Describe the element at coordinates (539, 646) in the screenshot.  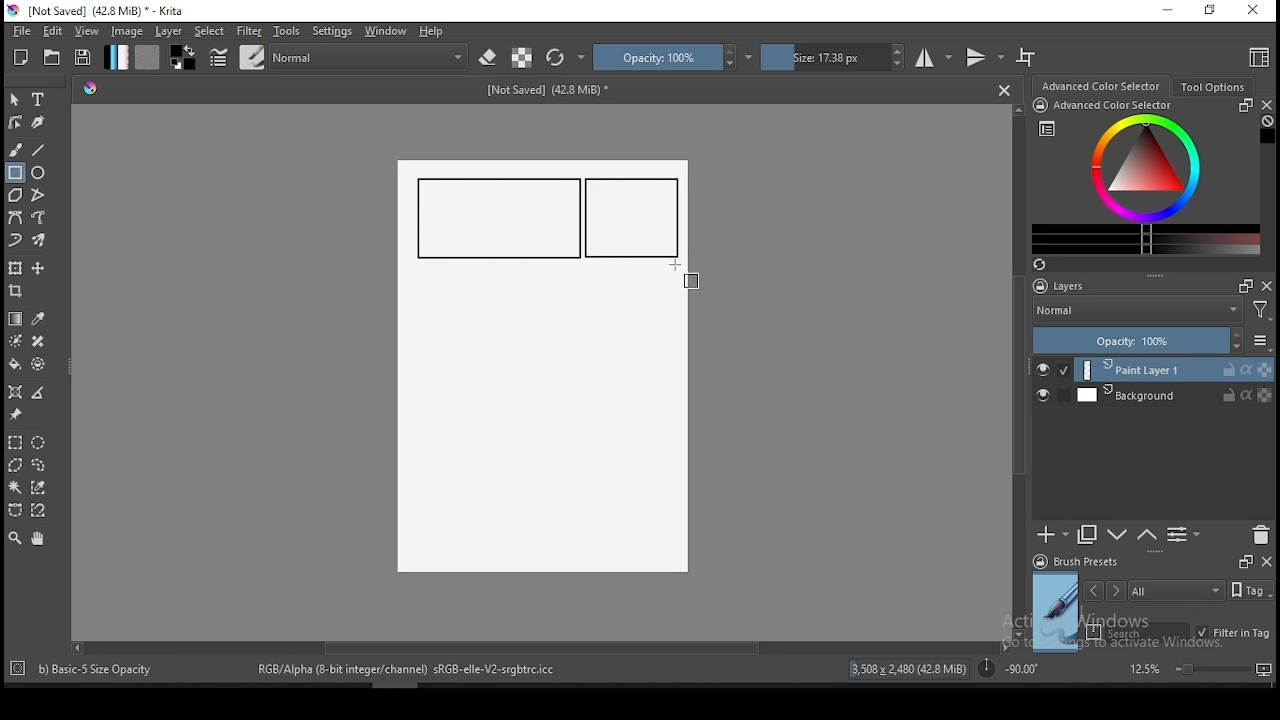
I see `scroll bar` at that location.